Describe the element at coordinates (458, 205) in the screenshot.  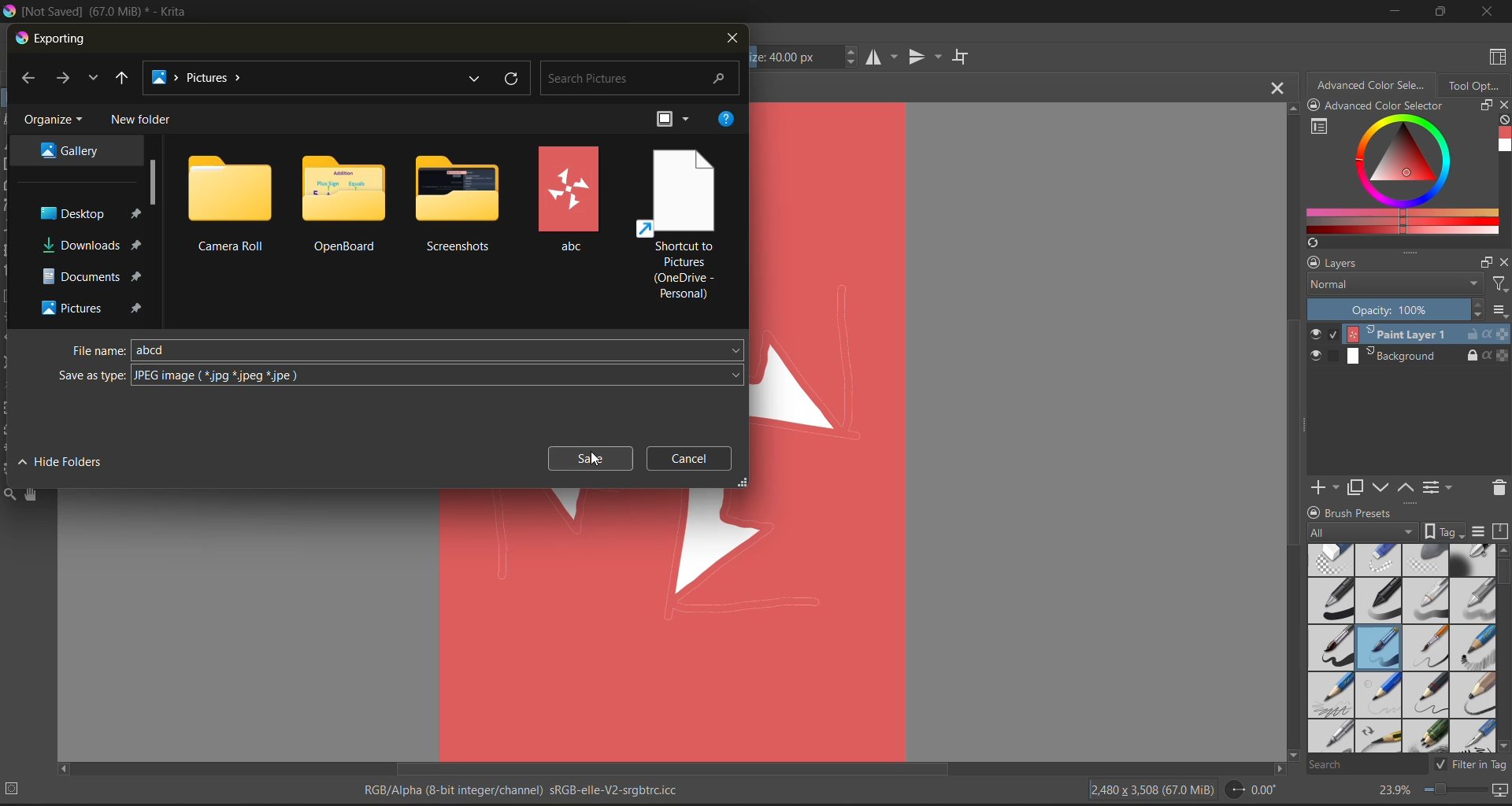
I see `folders and files` at that location.